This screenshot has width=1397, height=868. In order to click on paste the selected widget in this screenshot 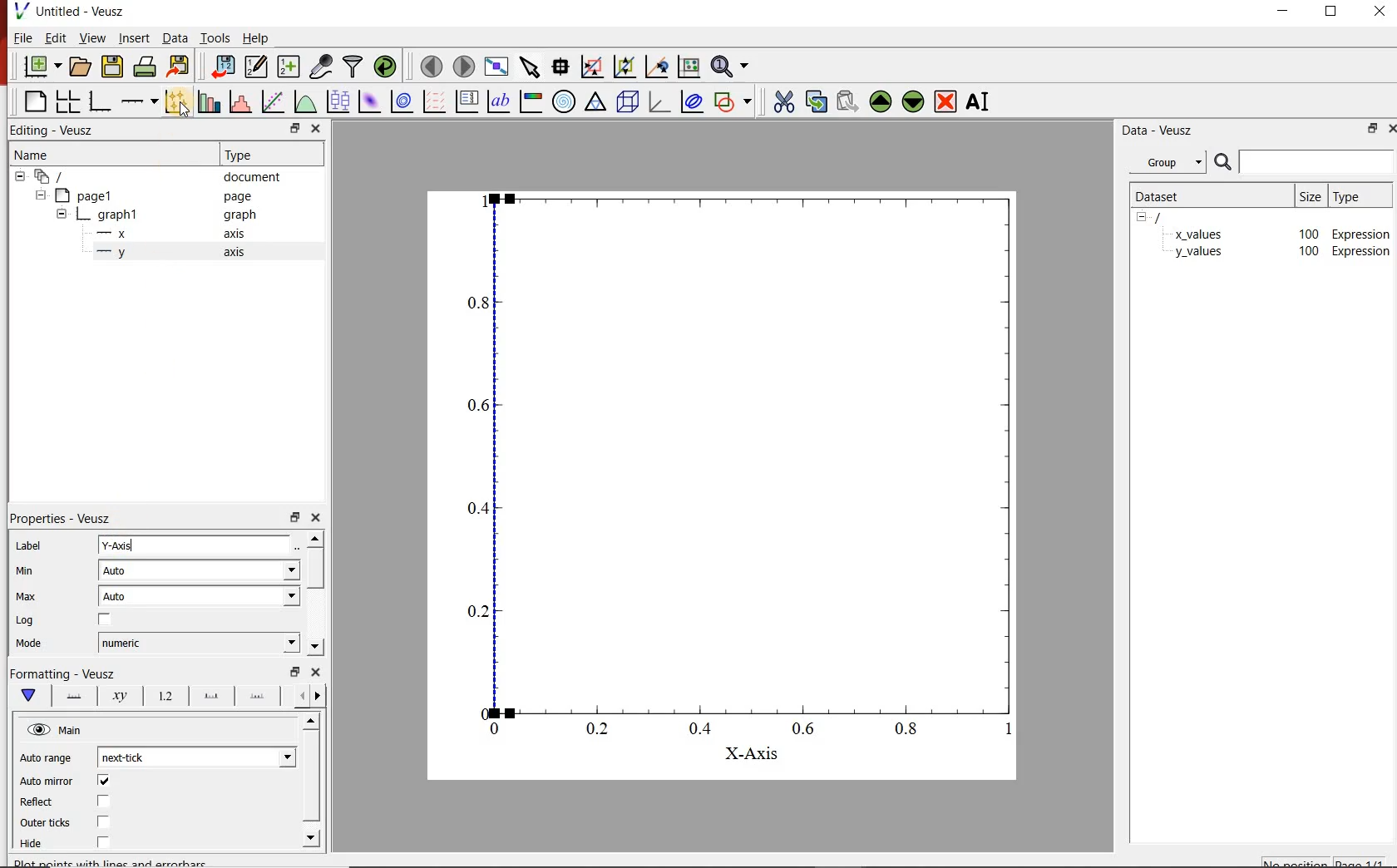, I will do `click(845, 104)`.